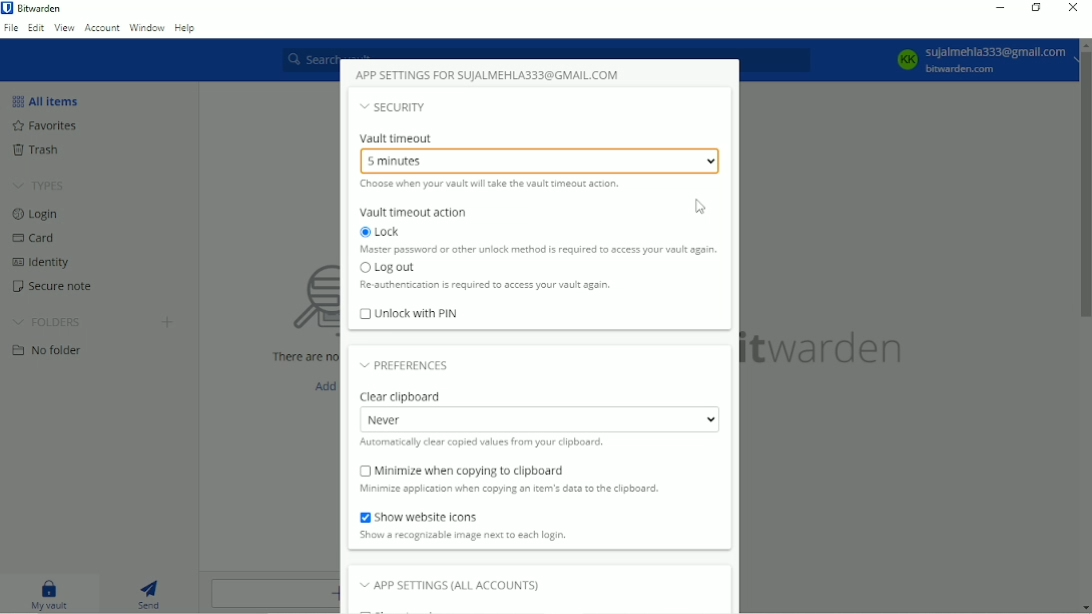  What do you see at coordinates (980, 60) in the screenshot?
I see `KK sujalmehla333@gmail.com     bitwarden.com` at bounding box center [980, 60].